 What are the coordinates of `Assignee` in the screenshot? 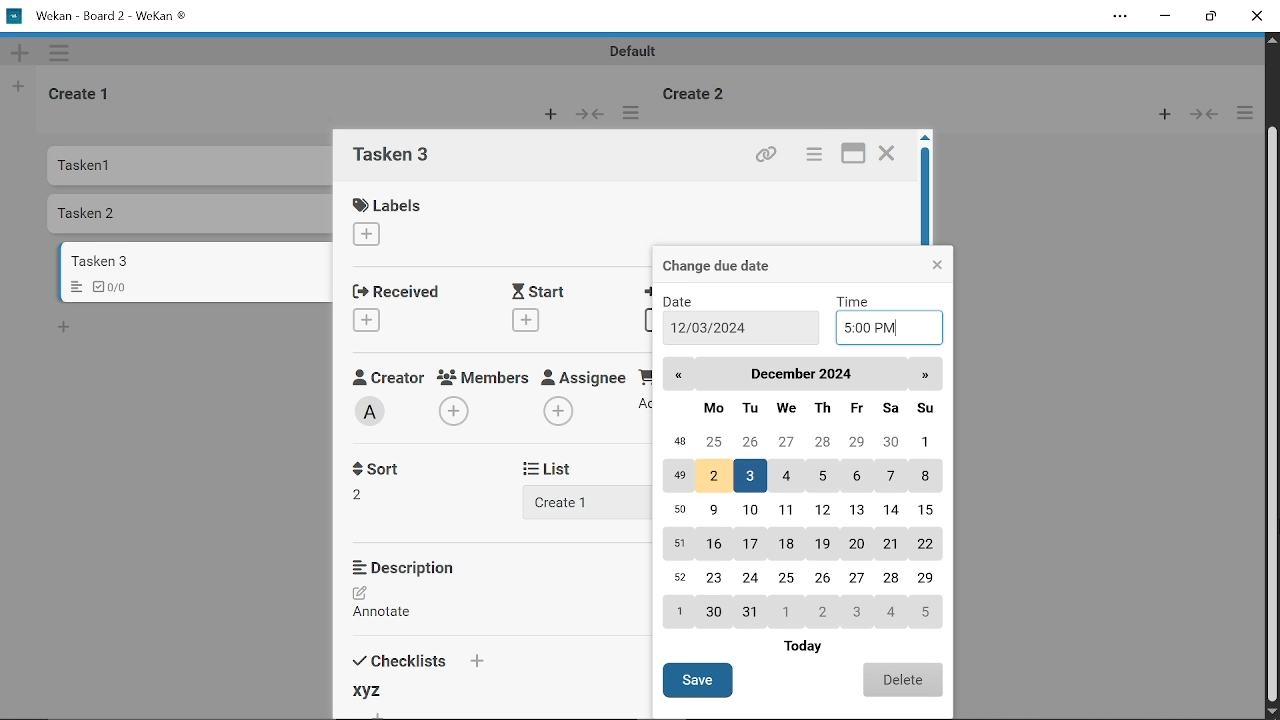 It's located at (584, 375).